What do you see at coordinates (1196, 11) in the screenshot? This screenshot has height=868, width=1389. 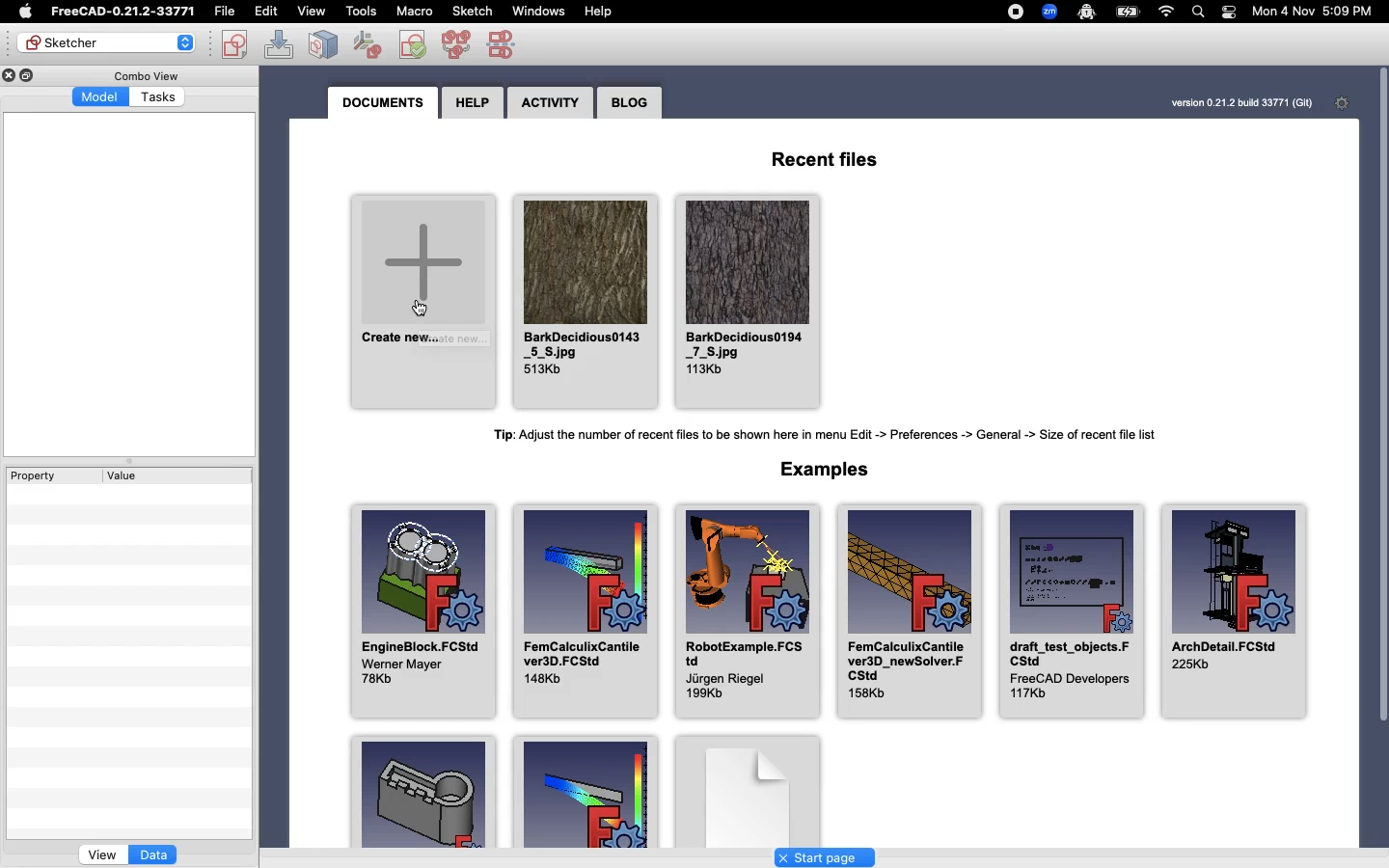 I see `Search` at bounding box center [1196, 11].